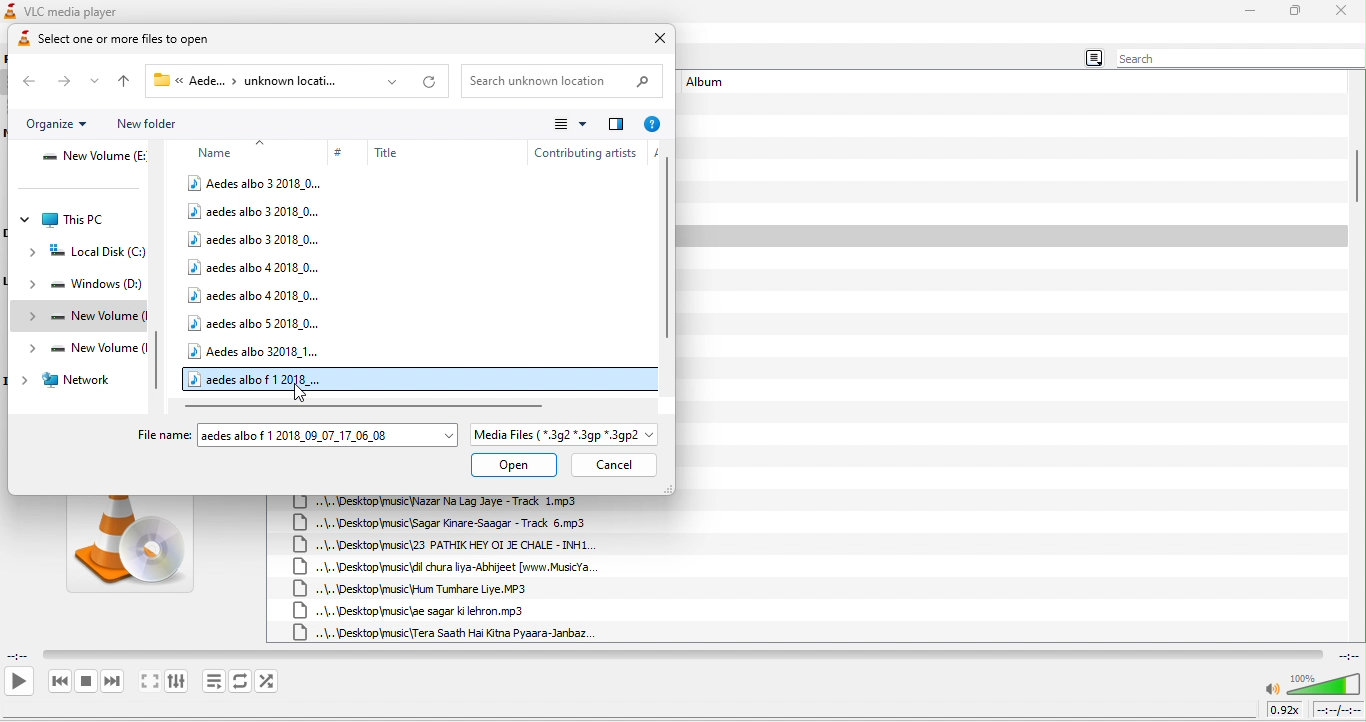 The width and height of the screenshot is (1366, 722). I want to click on menu, so click(1092, 59).